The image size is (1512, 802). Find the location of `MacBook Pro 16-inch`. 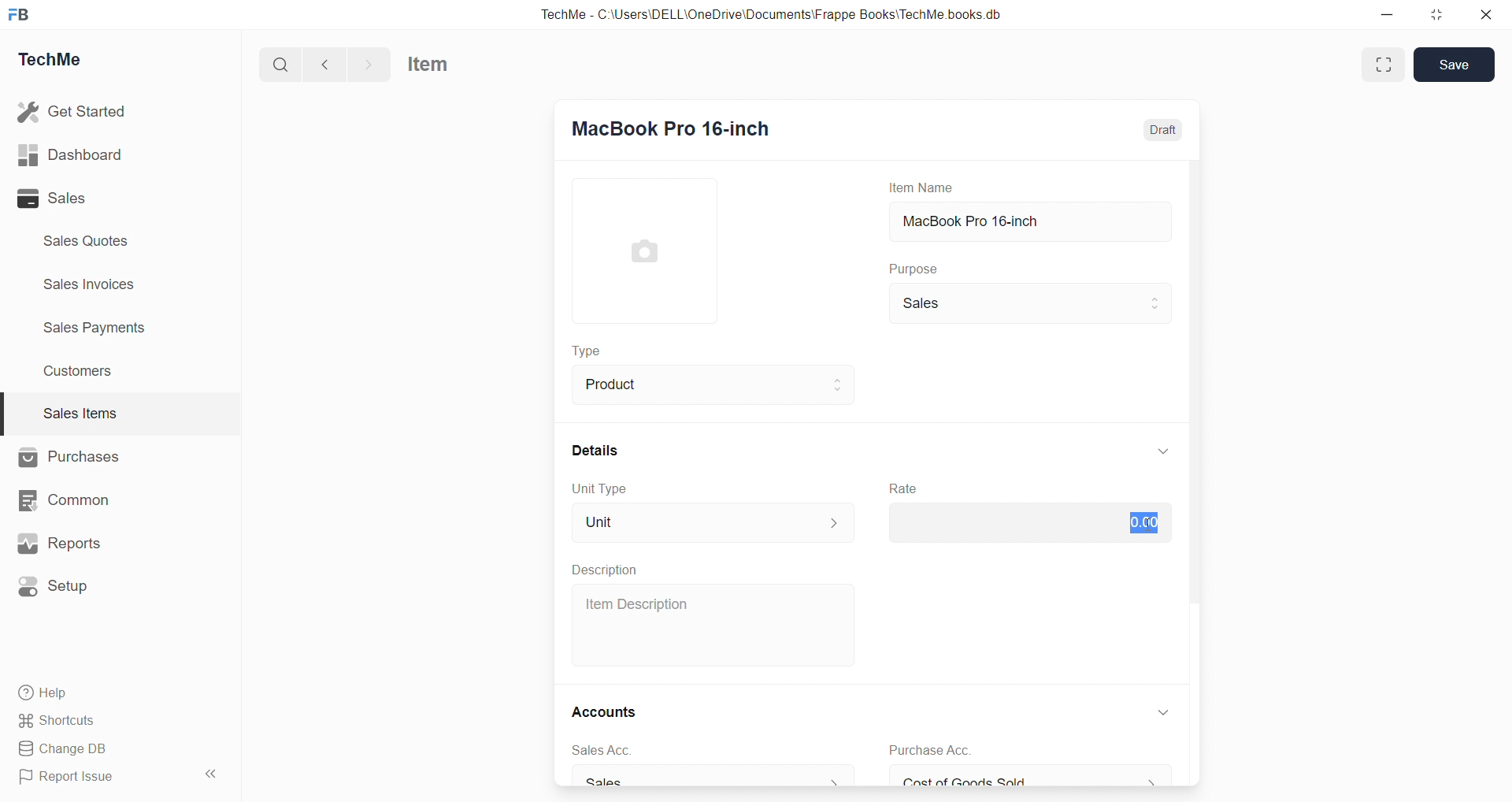

MacBook Pro 16-inch is located at coordinates (671, 125).